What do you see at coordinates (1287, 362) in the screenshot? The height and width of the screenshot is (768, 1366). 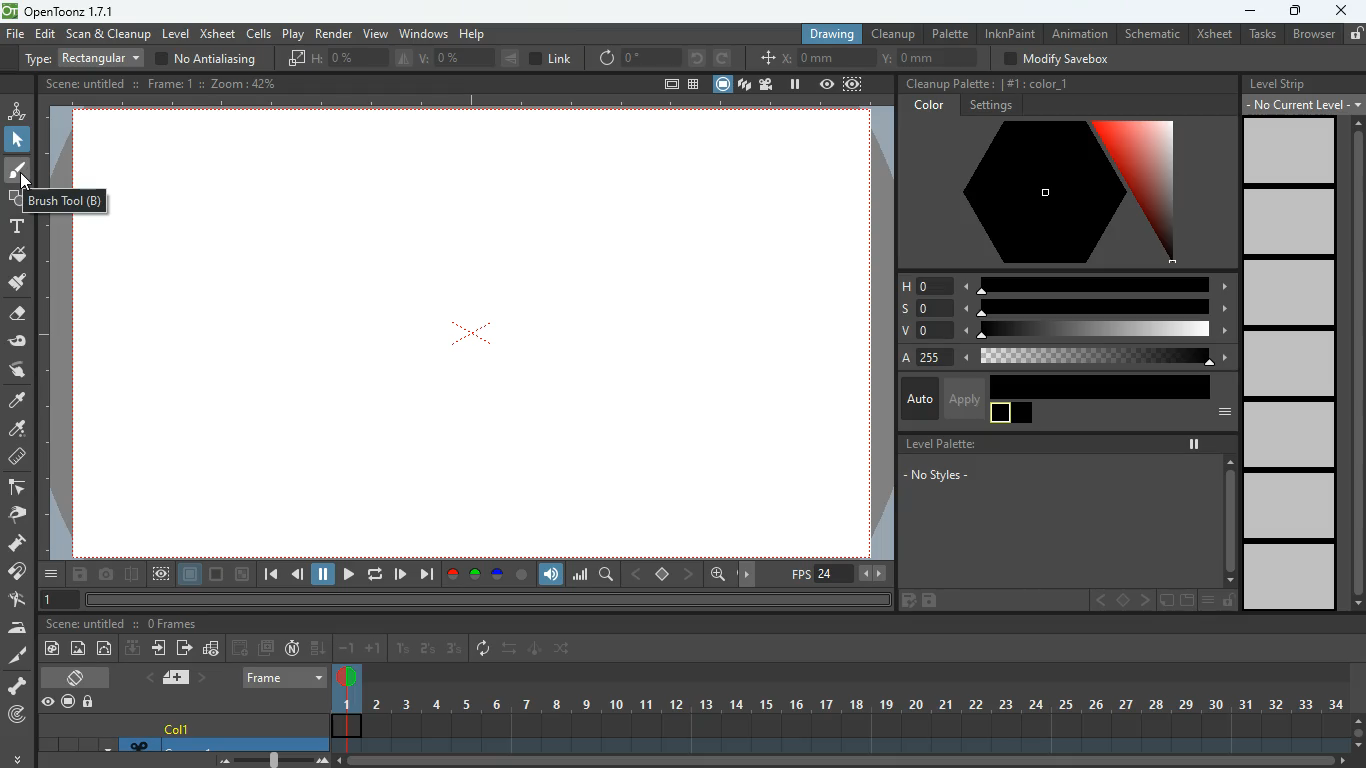 I see `level` at bounding box center [1287, 362].